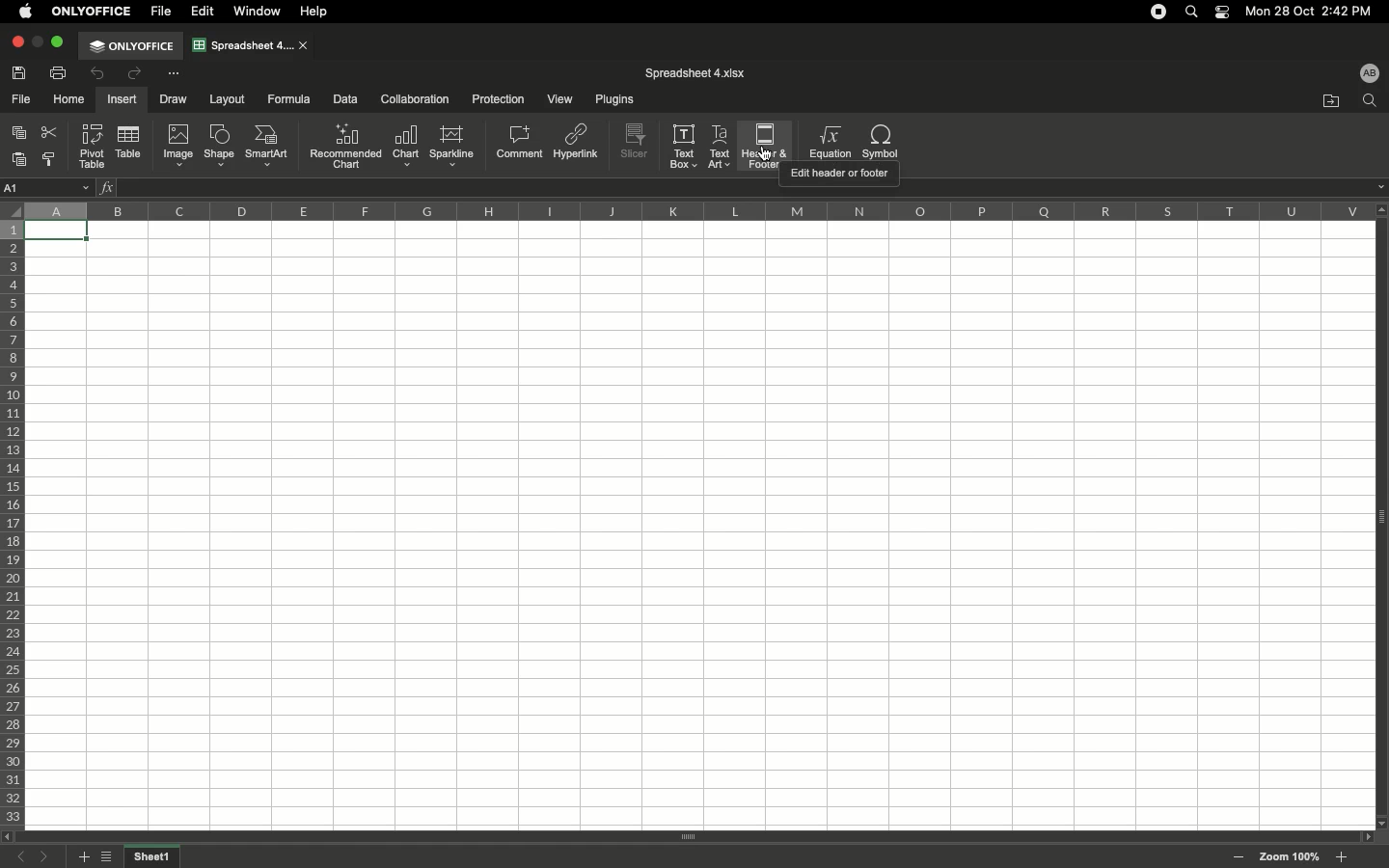 Image resolution: width=1389 pixels, height=868 pixels. What do you see at coordinates (131, 46) in the screenshot?
I see `OnlyOffice tab` at bounding box center [131, 46].